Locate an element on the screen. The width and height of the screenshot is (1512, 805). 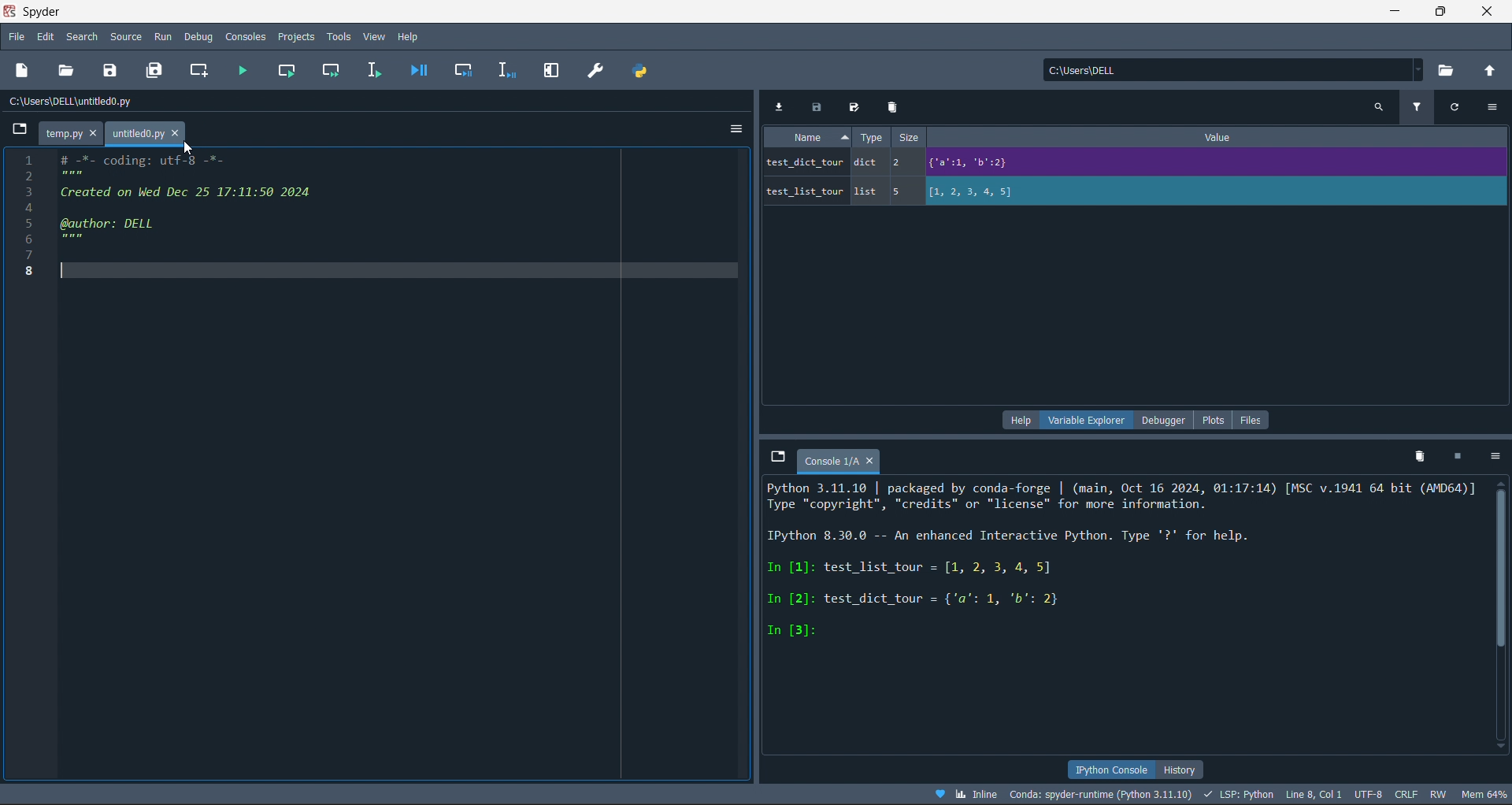
remove all variables is located at coordinates (1417, 455).